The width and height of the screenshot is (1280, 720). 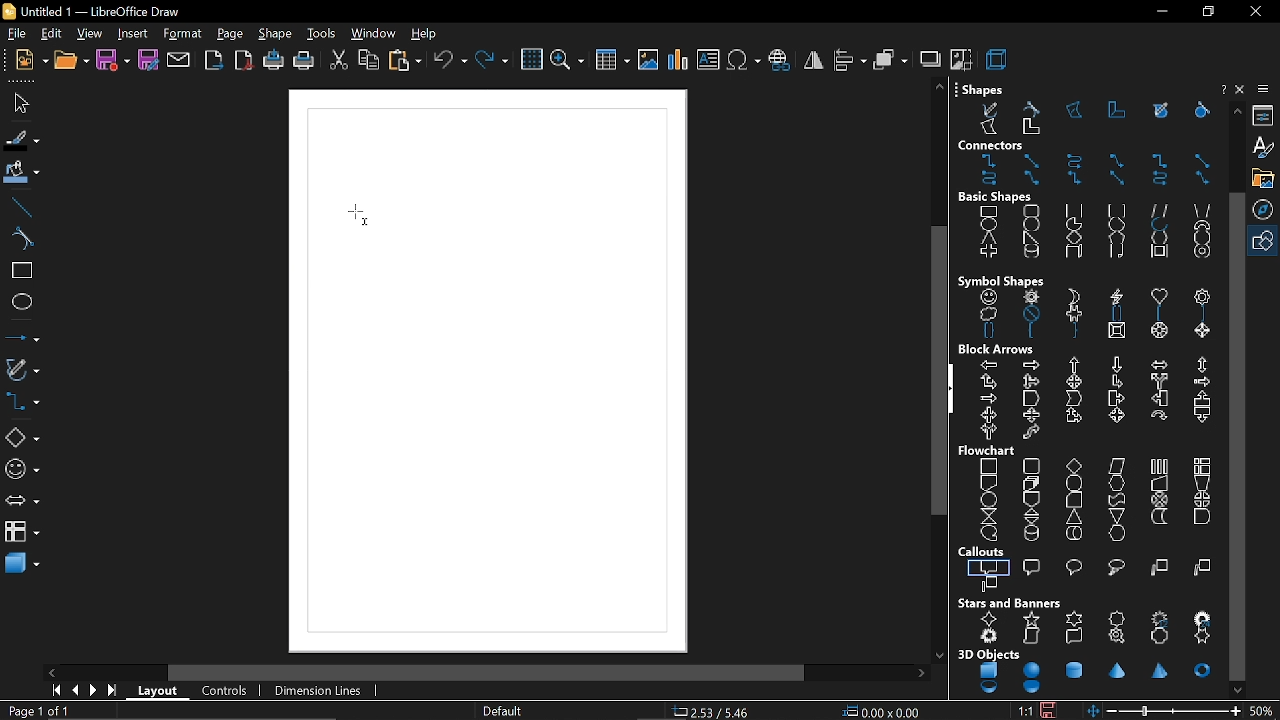 What do you see at coordinates (156, 691) in the screenshot?
I see `layout` at bounding box center [156, 691].